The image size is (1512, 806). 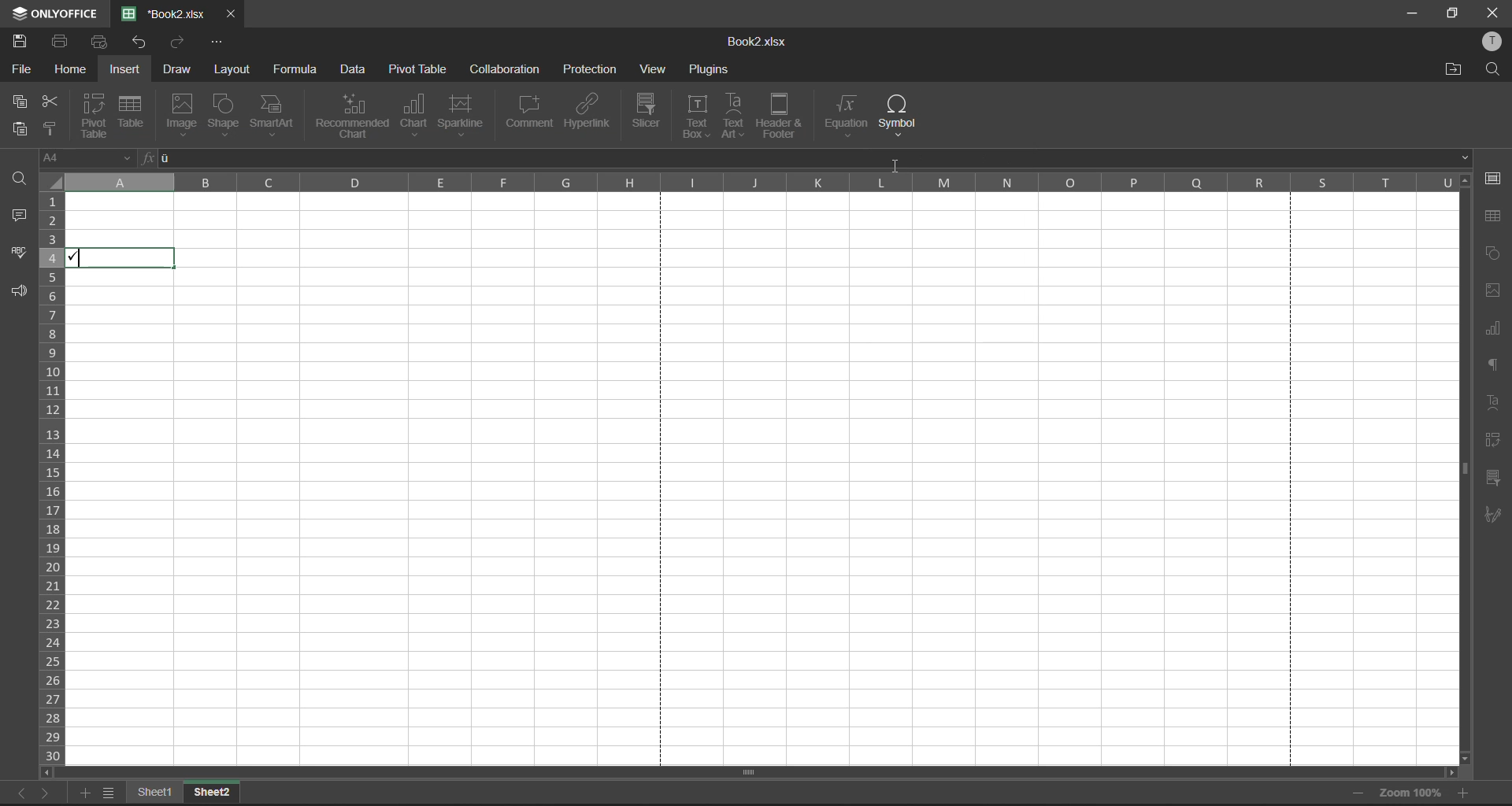 What do you see at coordinates (20, 130) in the screenshot?
I see `paste` at bounding box center [20, 130].